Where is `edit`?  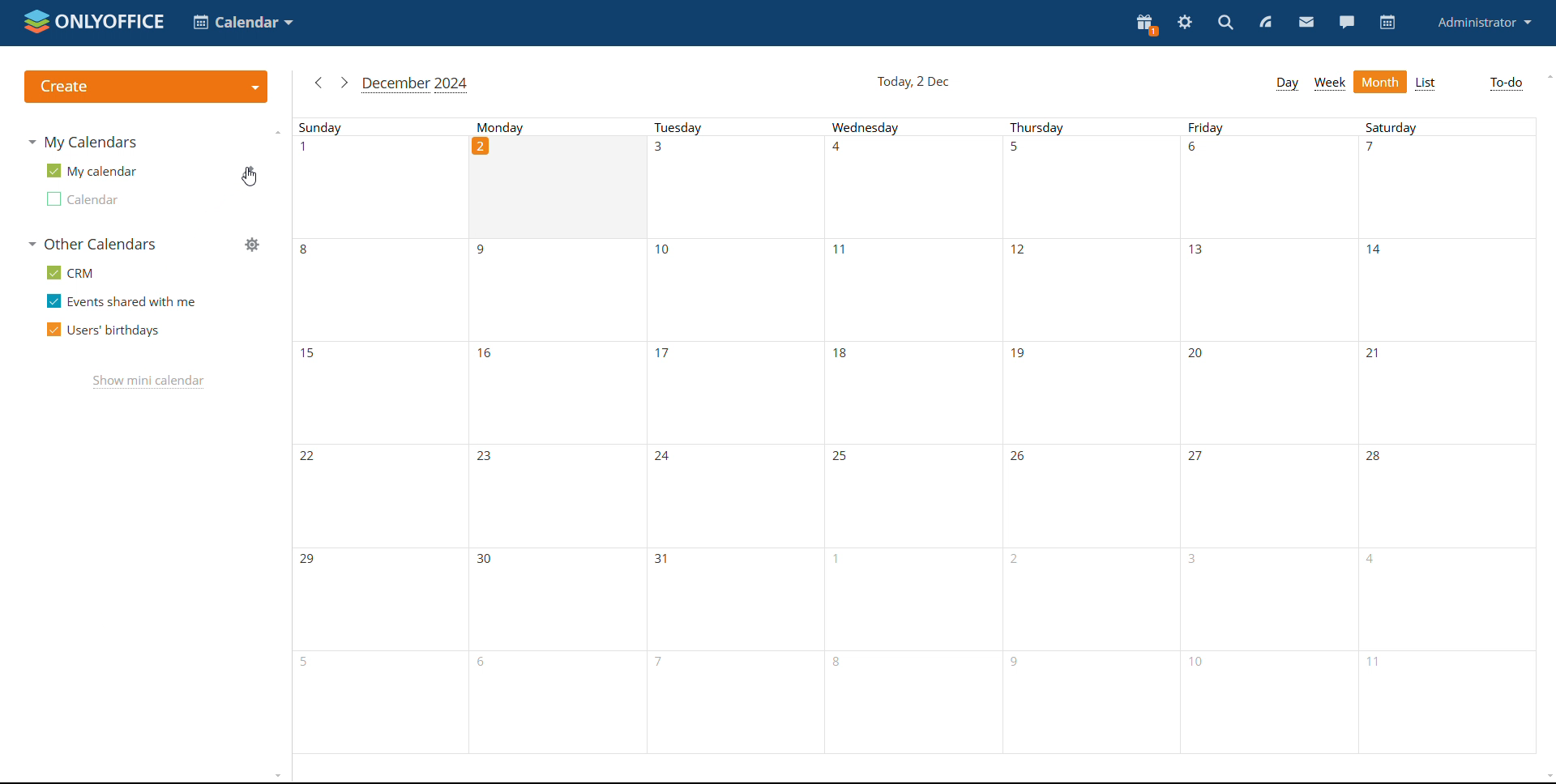
edit is located at coordinates (250, 173).